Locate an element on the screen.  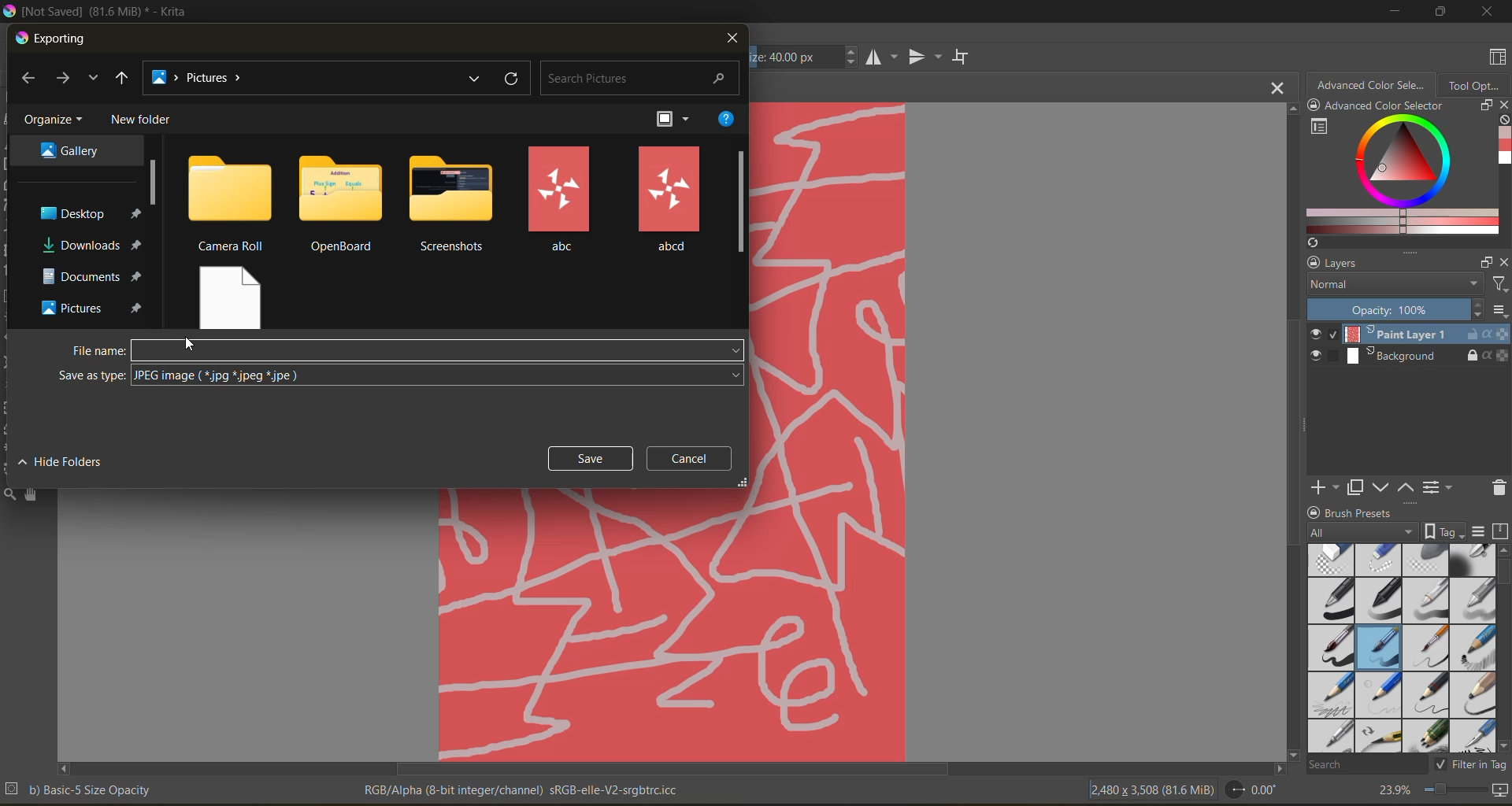
up to desktop is located at coordinates (122, 80).